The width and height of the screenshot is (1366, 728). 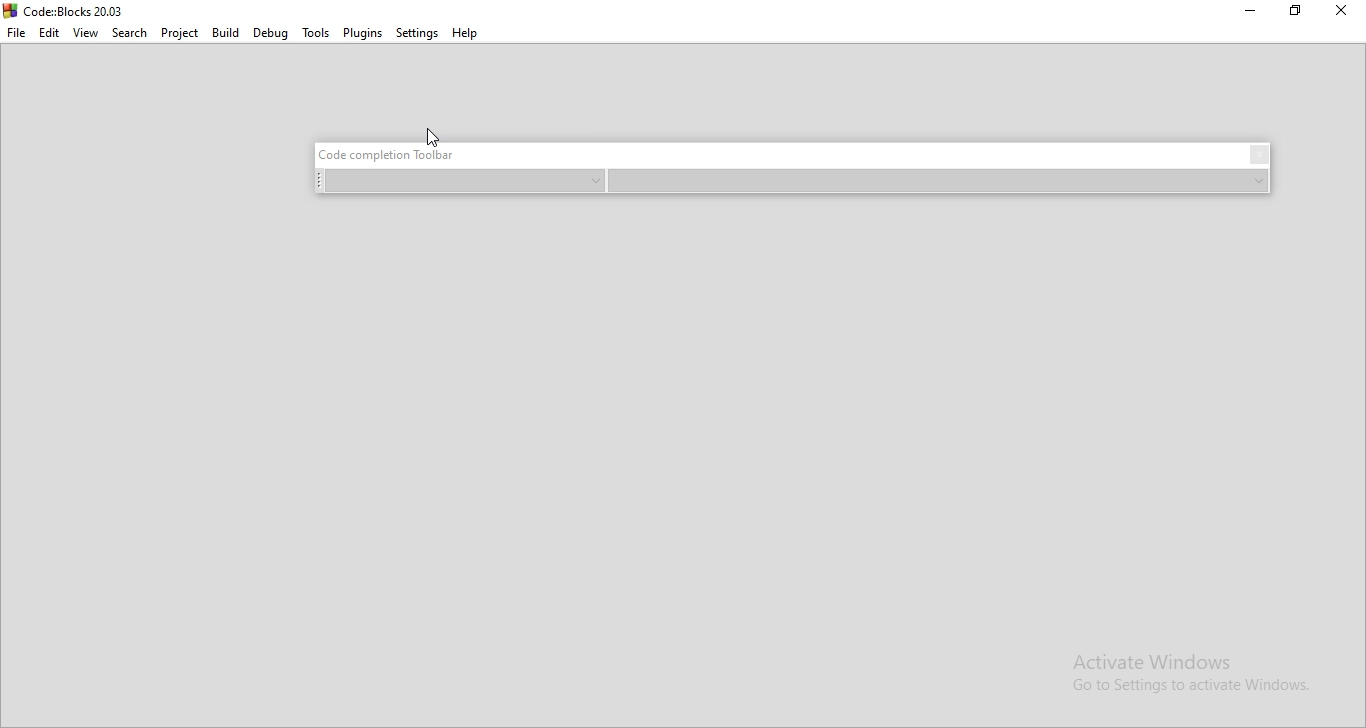 What do you see at coordinates (1254, 14) in the screenshot?
I see `Minimise` at bounding box center [1254, 14].